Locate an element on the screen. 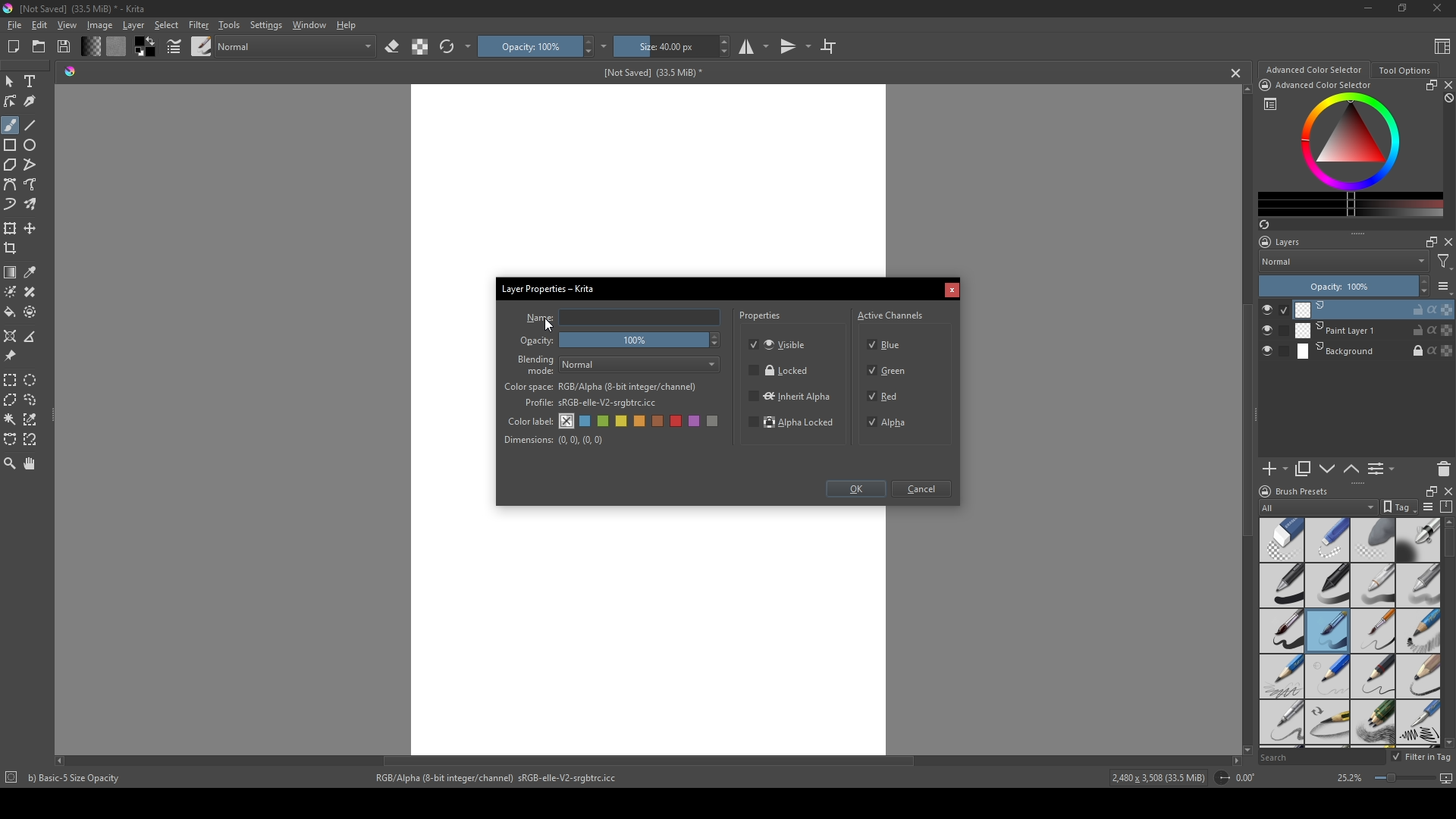  soft eraser is located at coordinates (1373, 539).